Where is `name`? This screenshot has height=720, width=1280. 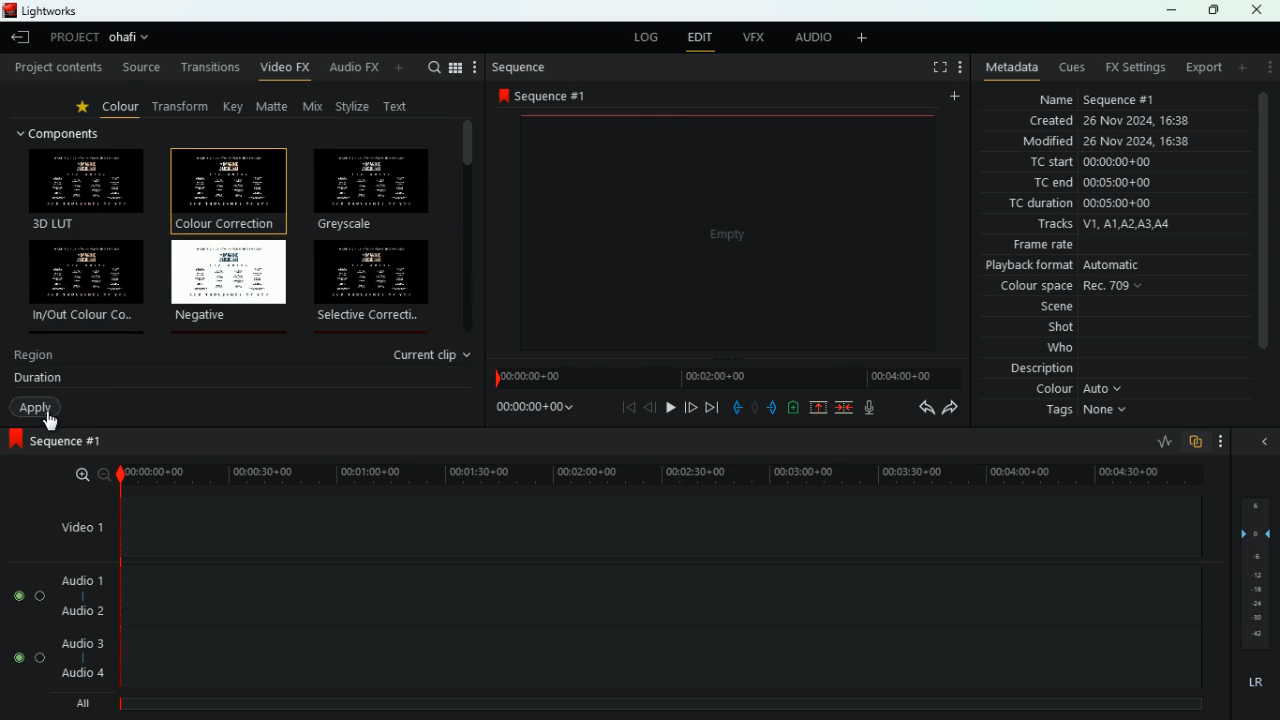
name is located at coordinates (1109, 99).